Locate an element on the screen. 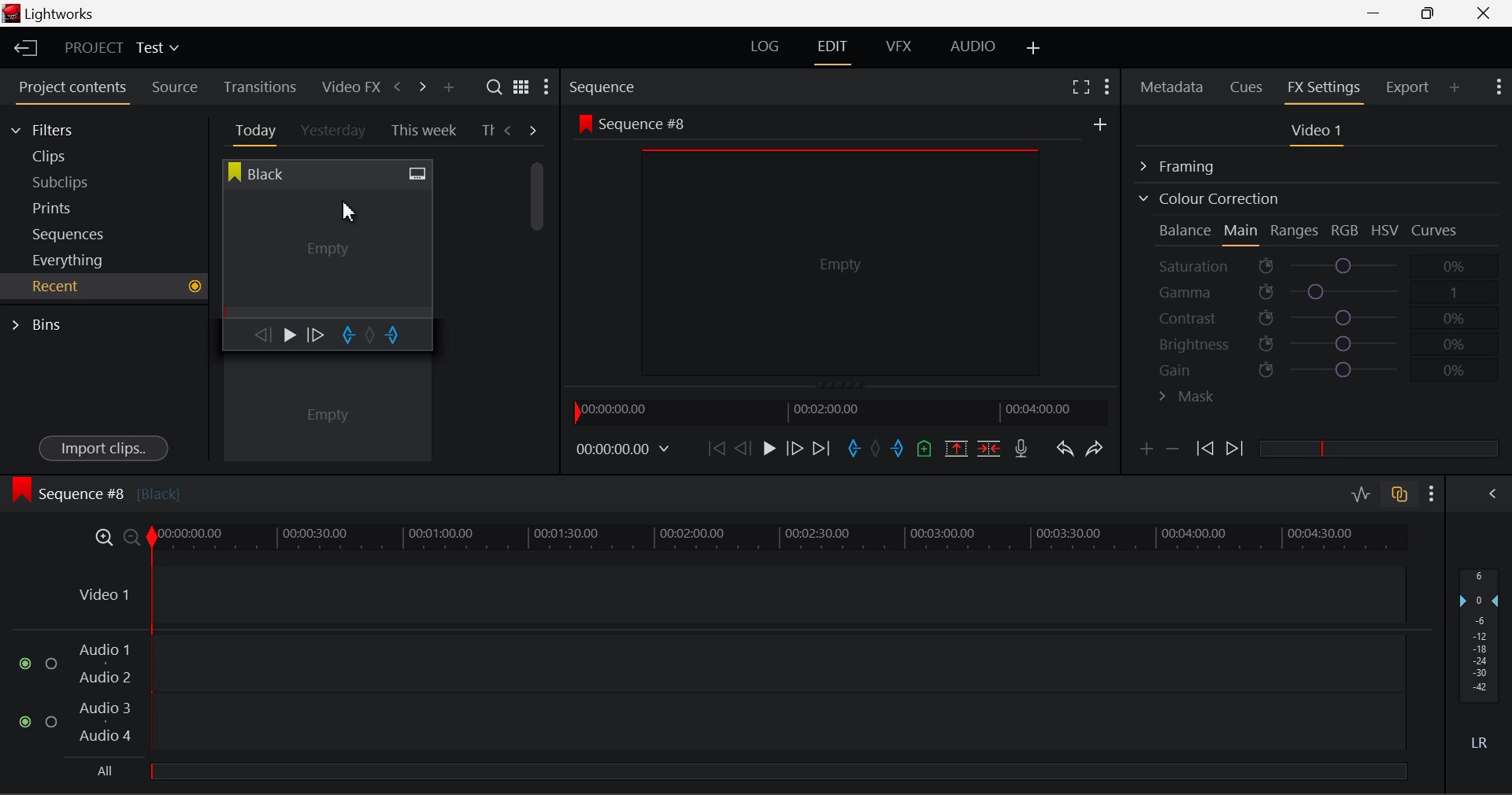  Scroll Bar is located at coordinates (538, 299).